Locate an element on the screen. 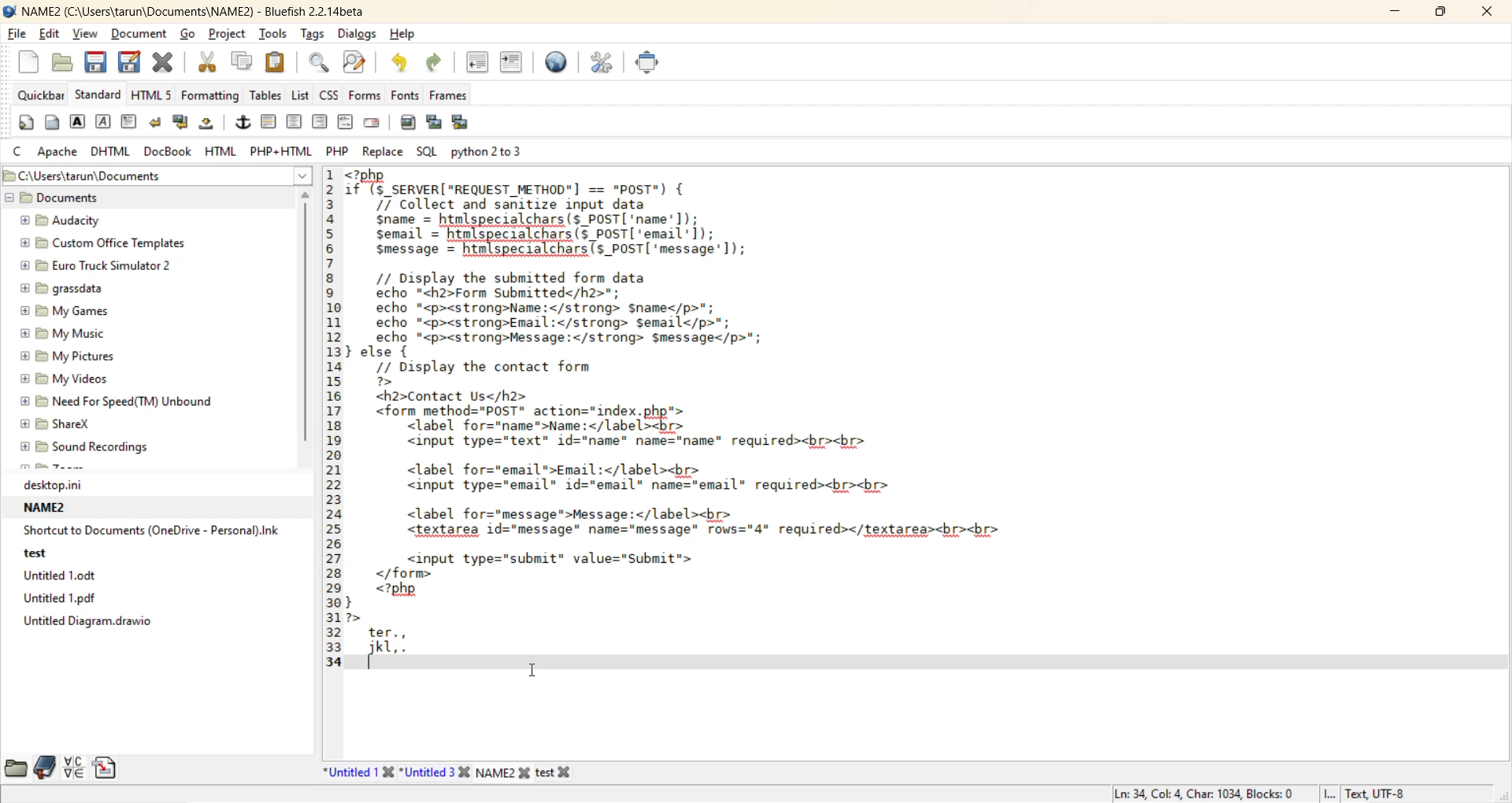  unindent is located at coordinates (480, 65).